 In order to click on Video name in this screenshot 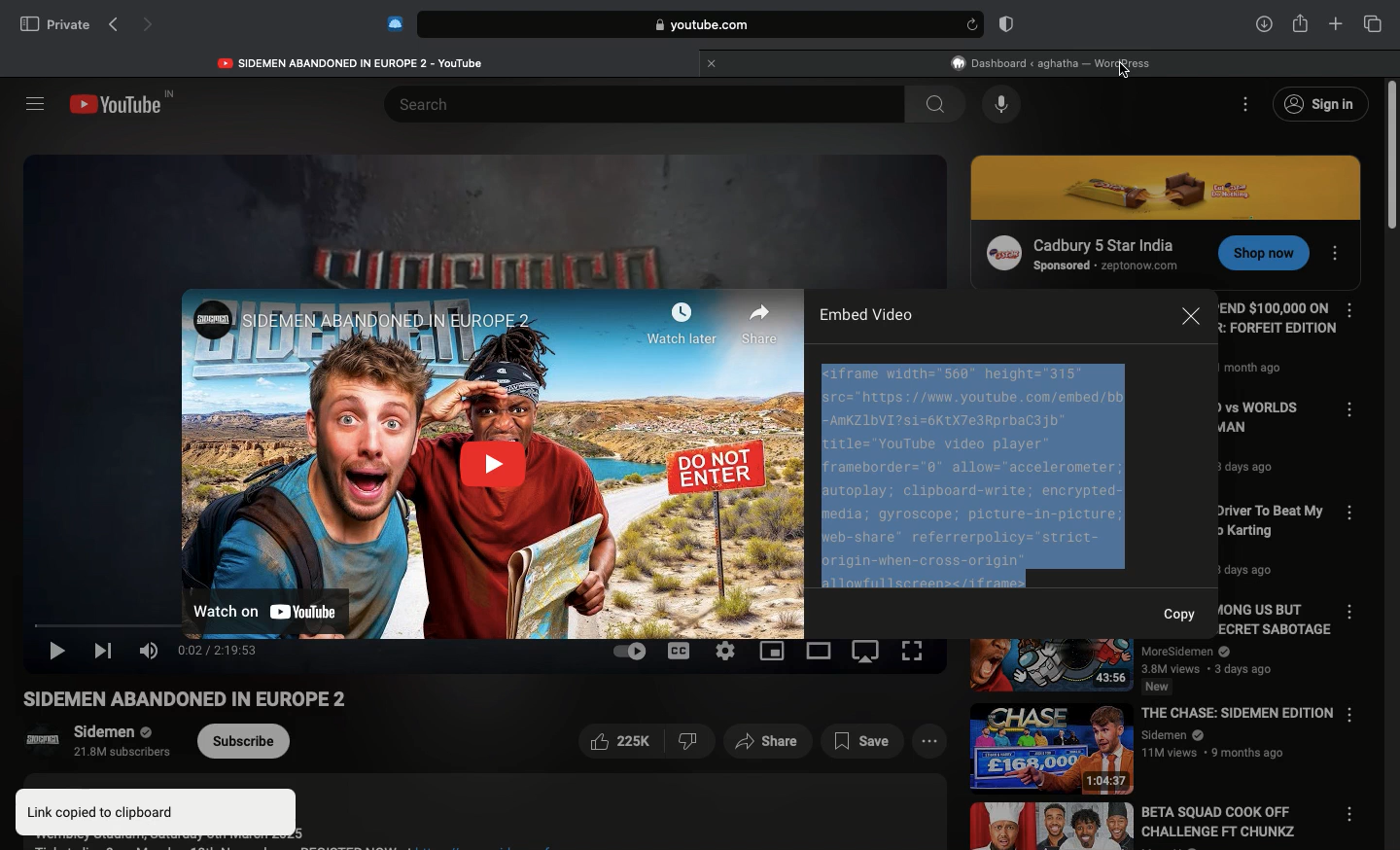, I will do `click(1277, 344)`.